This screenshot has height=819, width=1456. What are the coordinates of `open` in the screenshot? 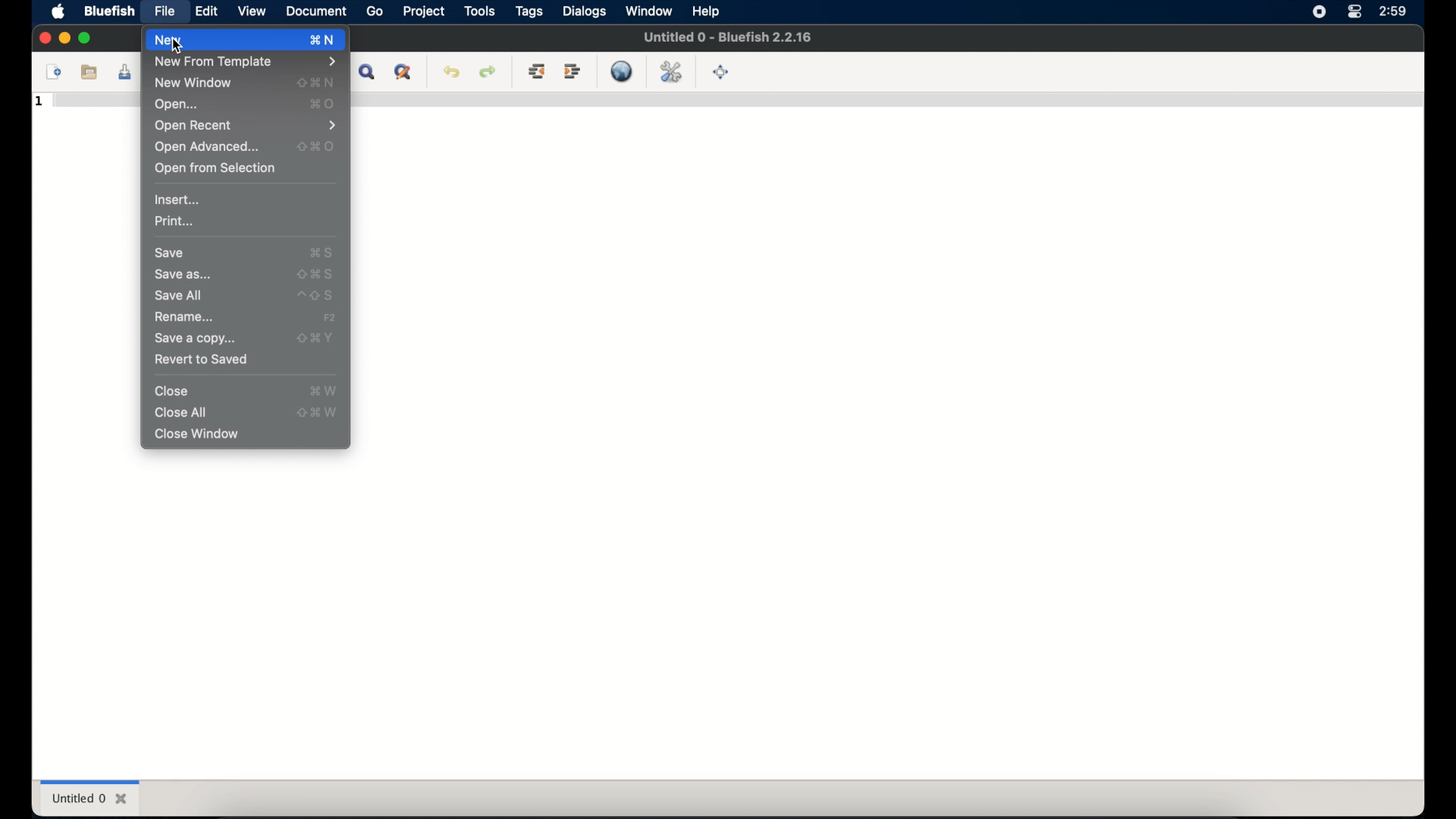 It's located at (177, 105).